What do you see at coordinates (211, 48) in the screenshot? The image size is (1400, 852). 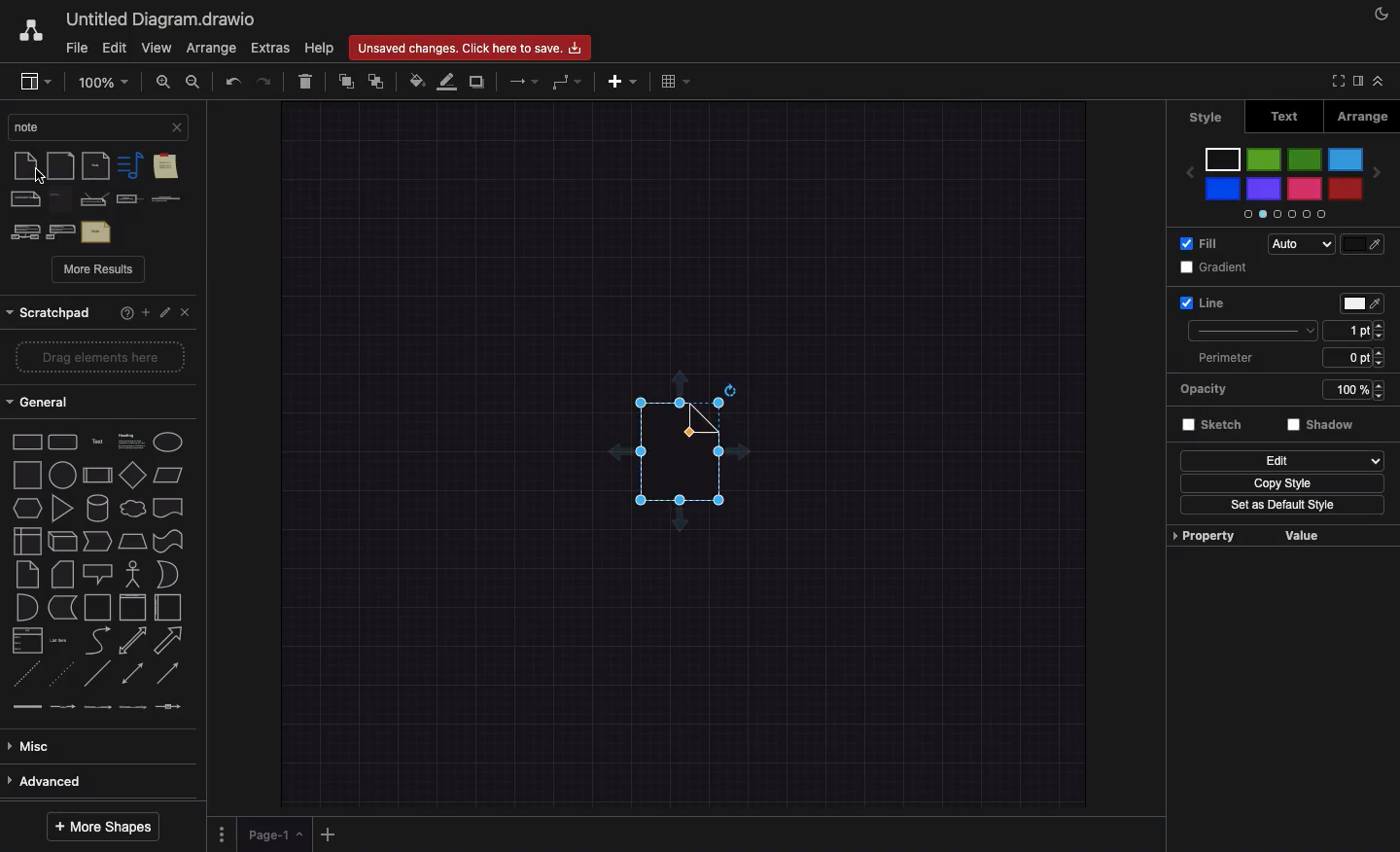 I see `Arrange` at bounding box center [211, 48].